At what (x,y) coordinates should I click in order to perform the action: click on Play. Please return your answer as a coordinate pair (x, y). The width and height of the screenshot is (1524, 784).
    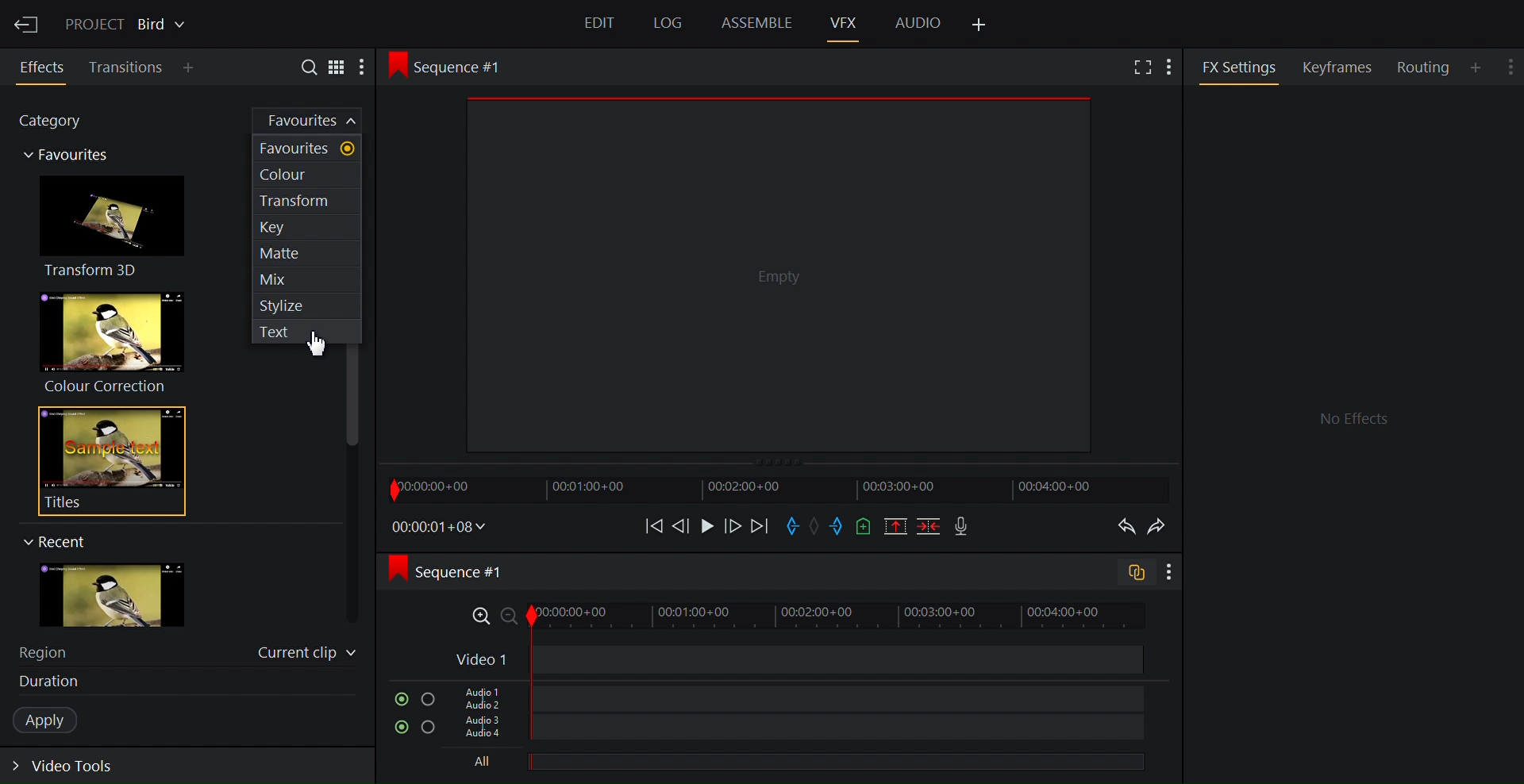
    Looking at the image, I should click on (706, 525).